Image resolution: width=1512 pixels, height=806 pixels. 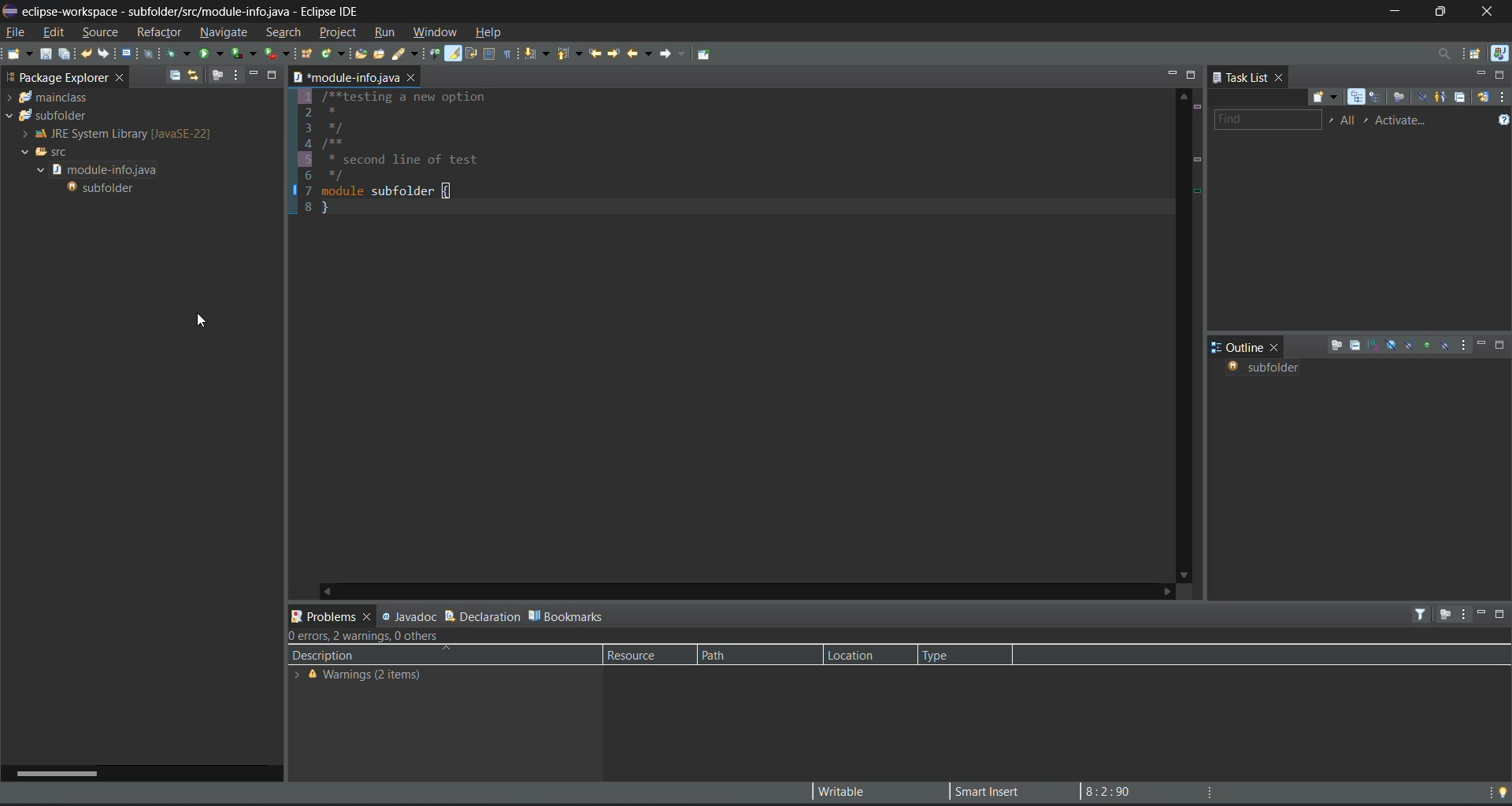 What do you see at coordinates (235, 74) in the screenshot?
I see `view menu` at bounding box center [235, 74].